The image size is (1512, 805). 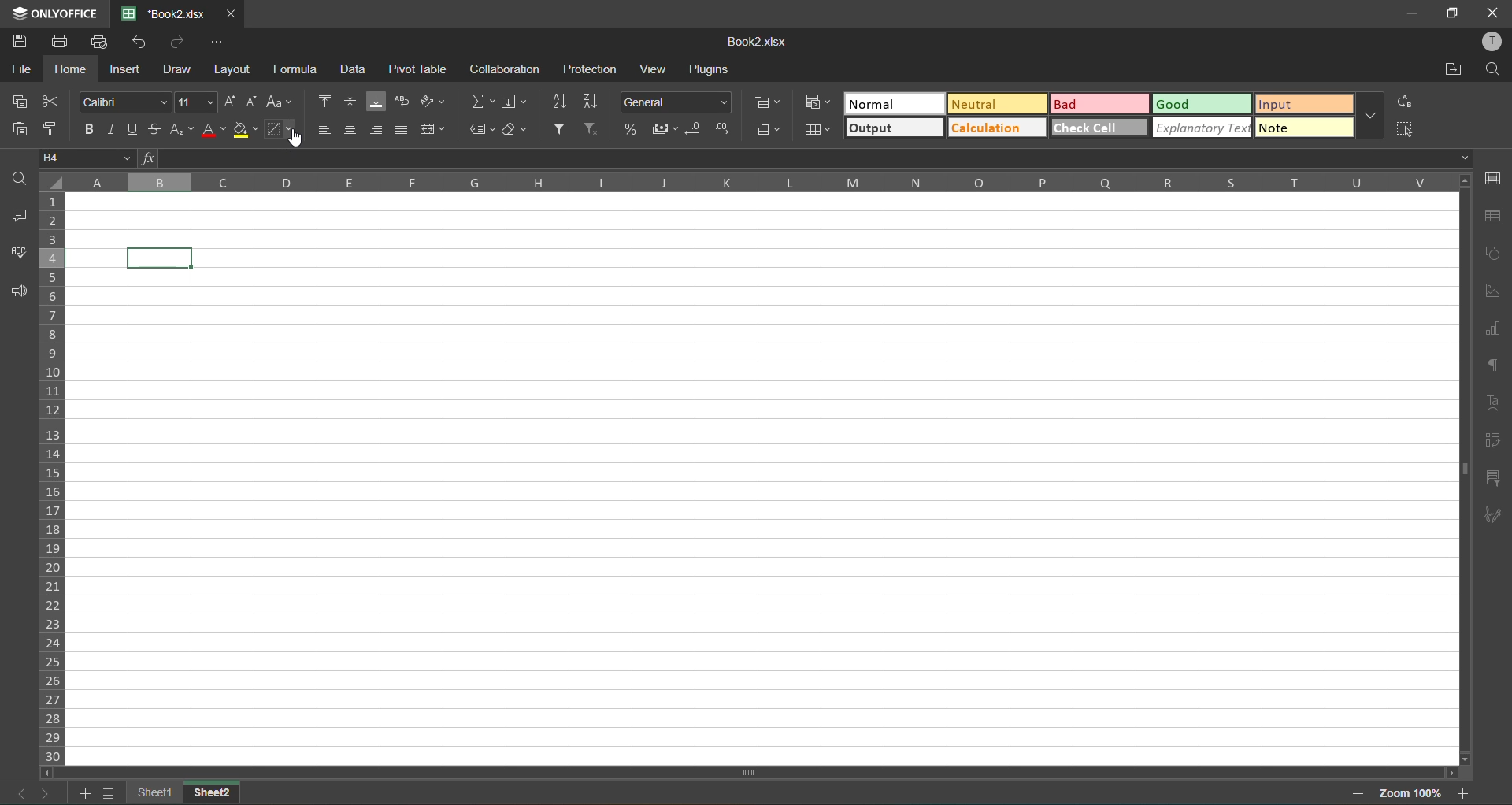 What do you see at coordinates (1494, 255) in the screenshot?
I see `shapes` at bounding box center [1494, 255].